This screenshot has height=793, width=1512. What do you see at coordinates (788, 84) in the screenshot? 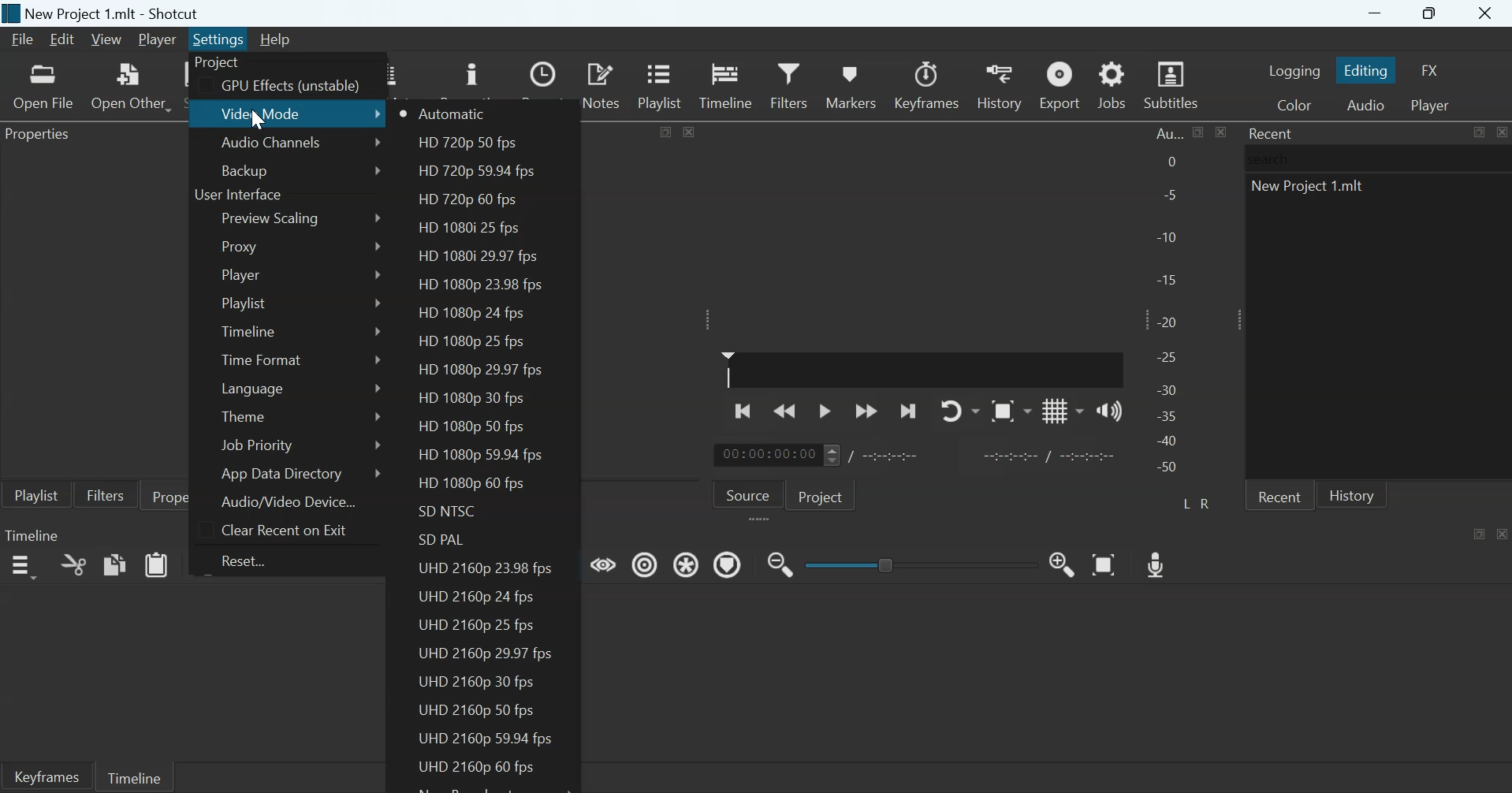
I see `Filters` at bounding box center [788, 84].